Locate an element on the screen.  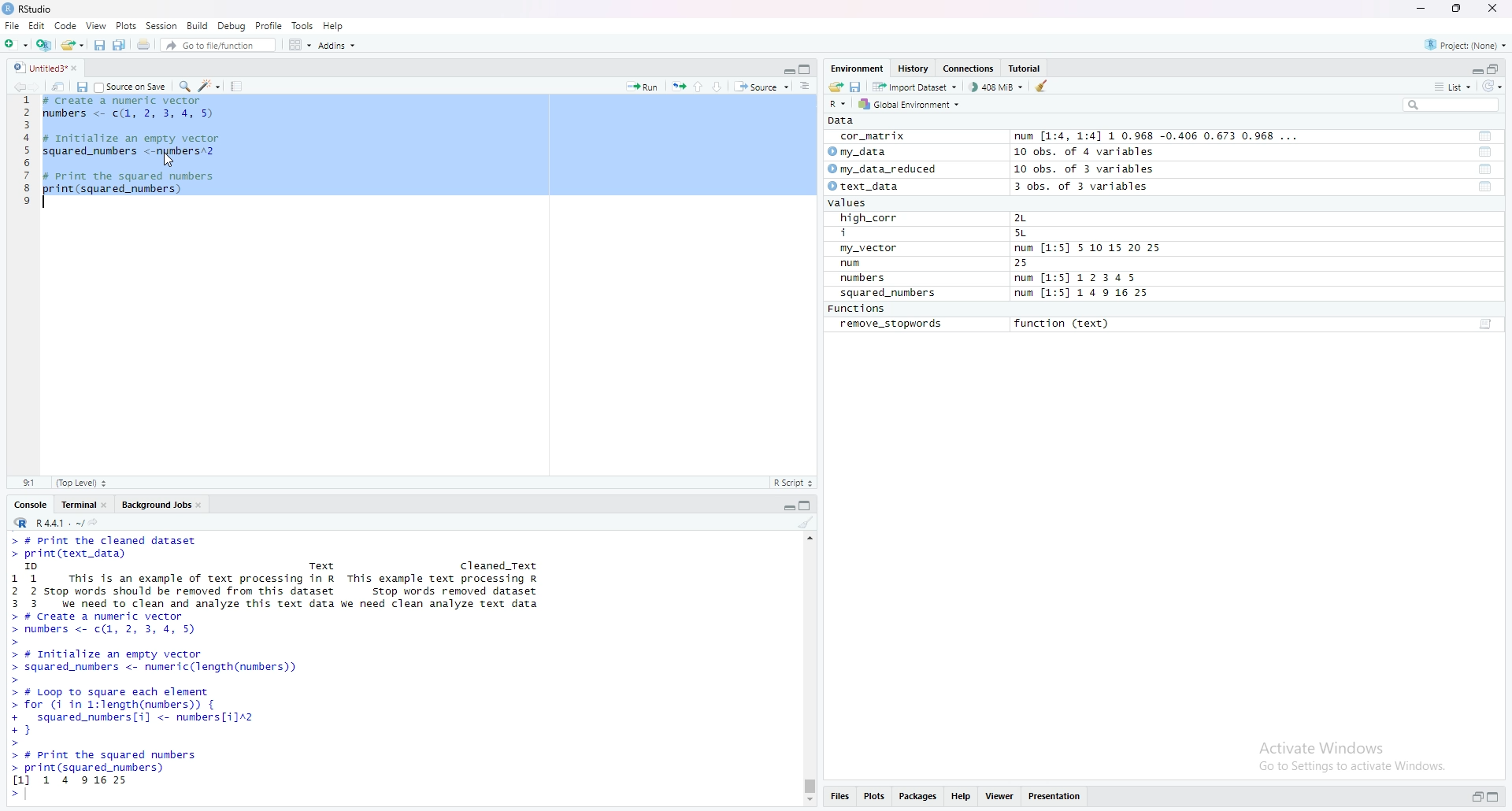
close is located at coordinates (80, 67).